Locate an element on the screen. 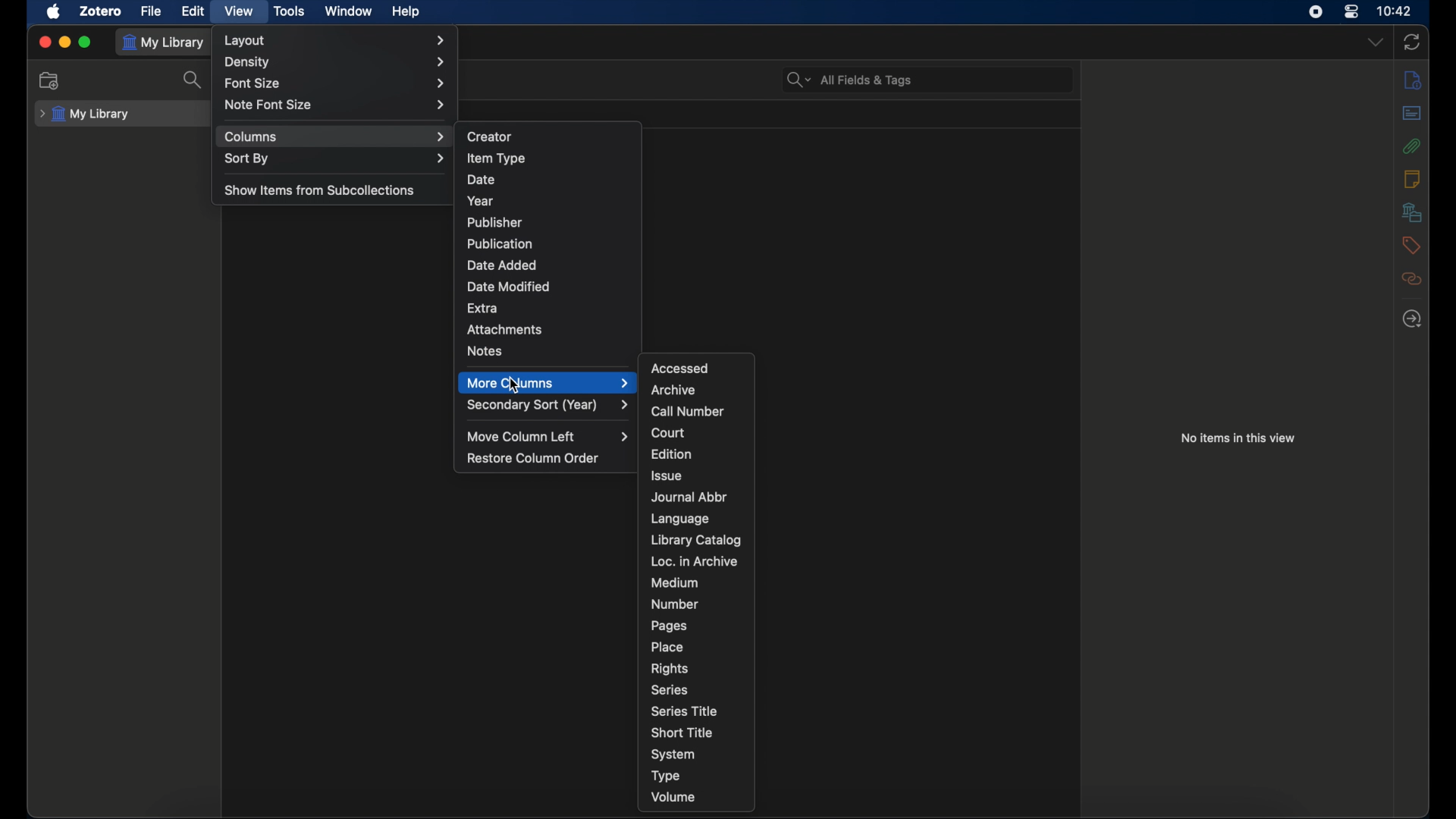 The height and width of the screenshot is (819, 1456). item type is located at coordinates (496, 158).